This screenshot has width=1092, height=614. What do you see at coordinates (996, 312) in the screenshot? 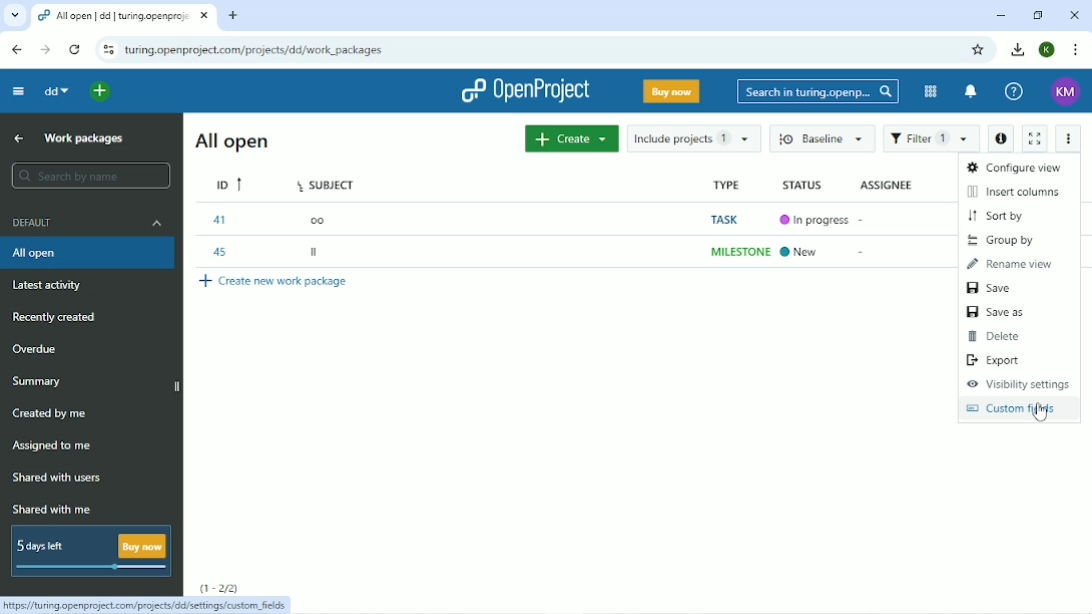
I see `Save as` at bounding box center [996, 312].